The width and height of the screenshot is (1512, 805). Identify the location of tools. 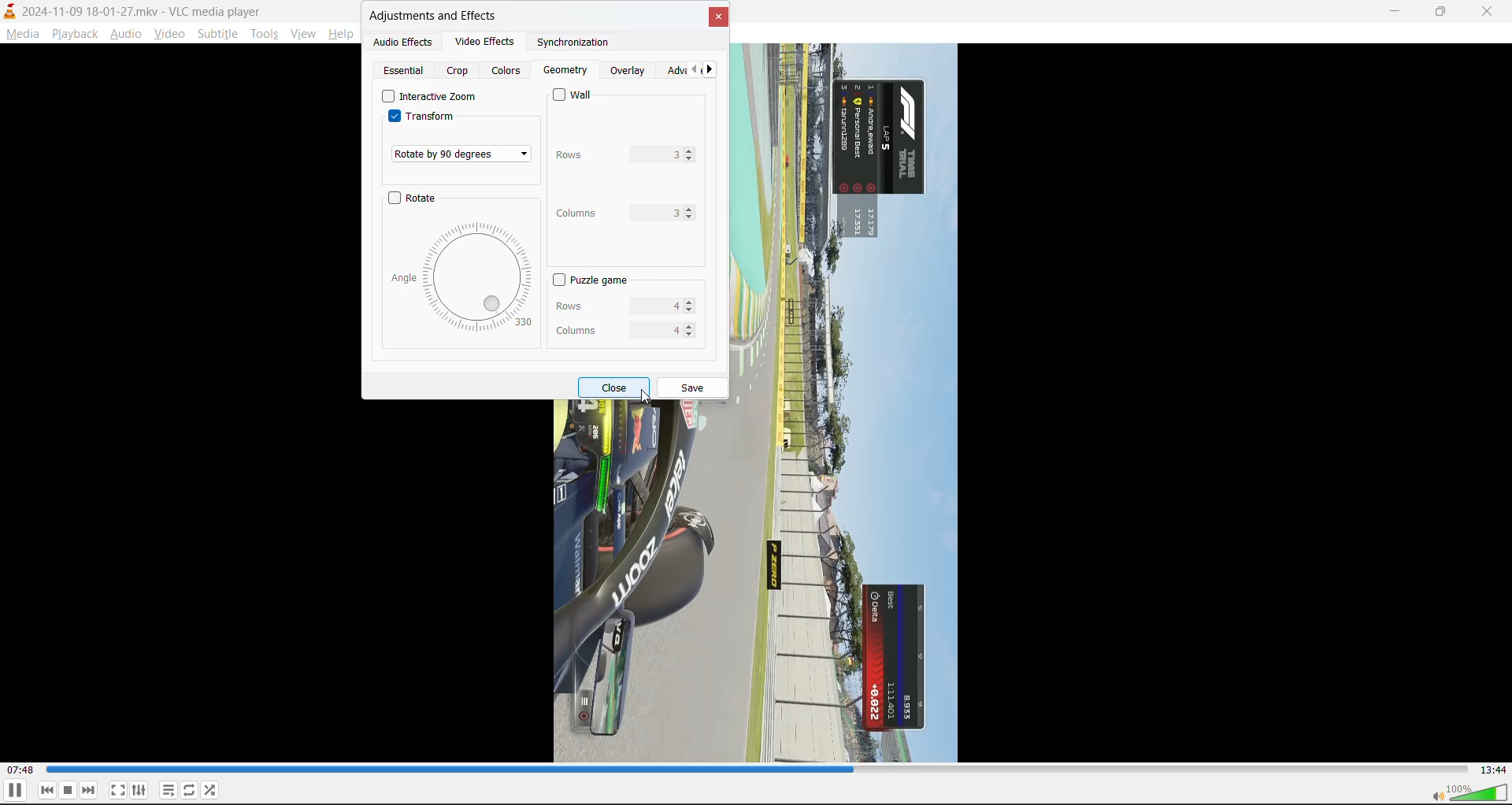
(264, 33).